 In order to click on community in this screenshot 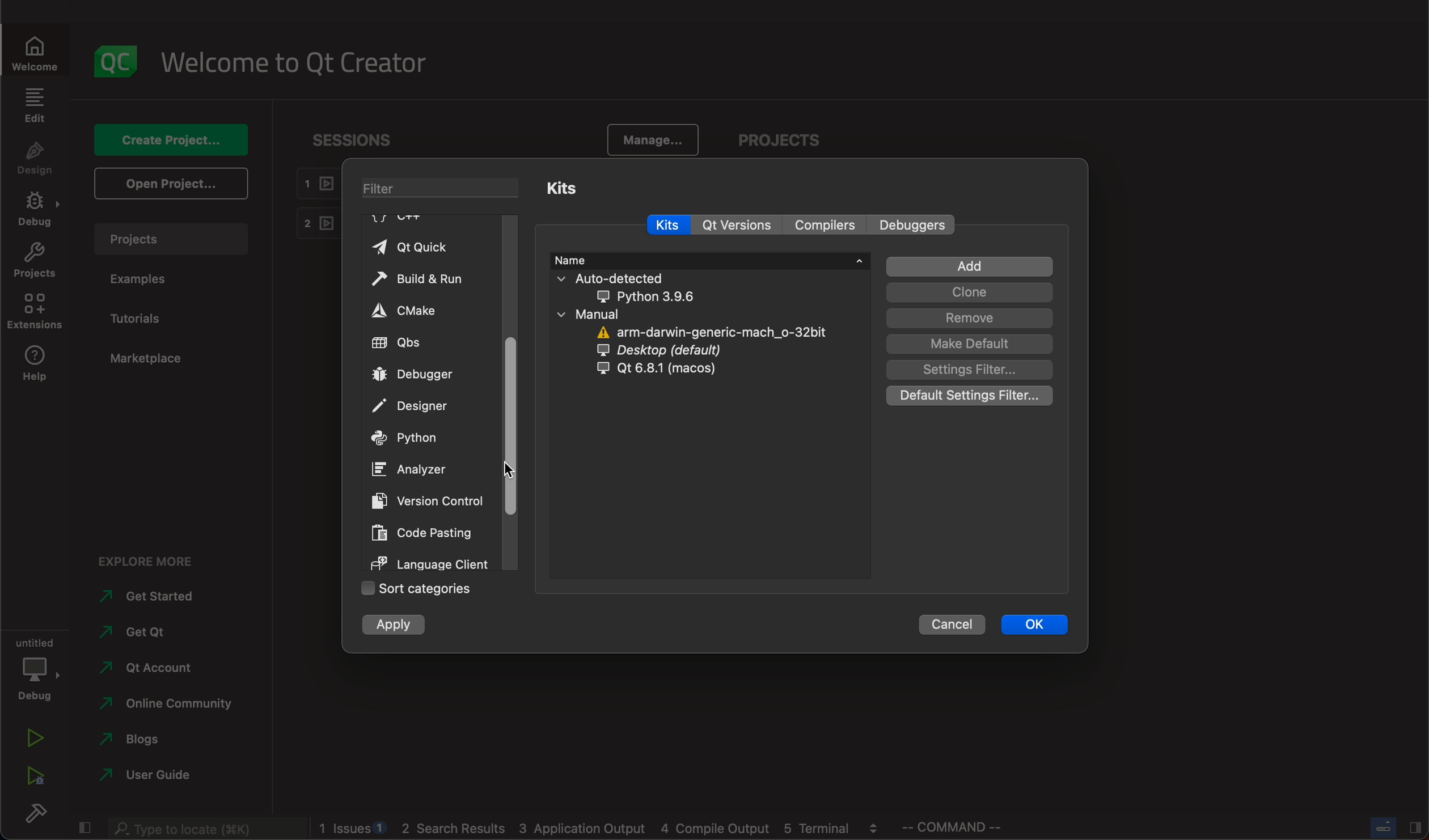, I will do `click(174, 705)`.